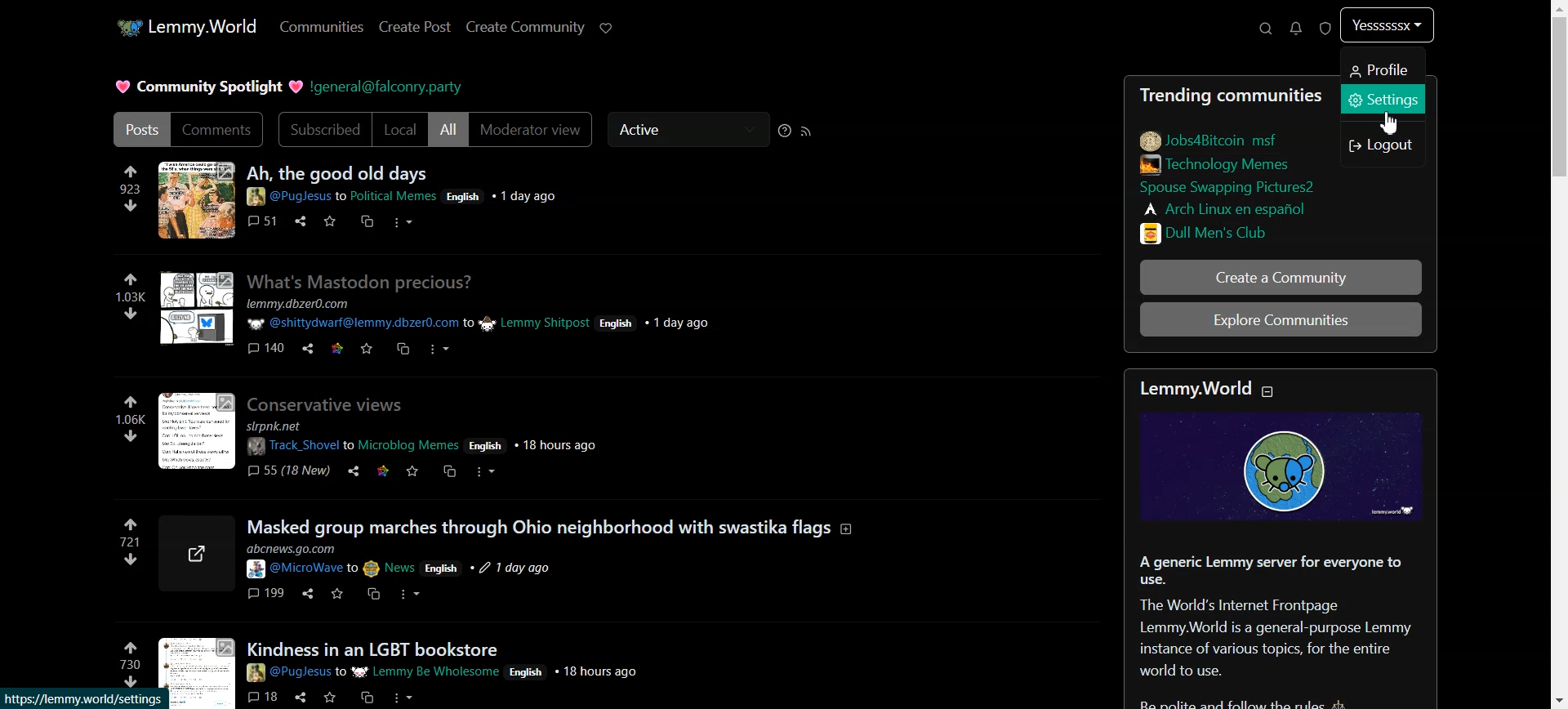 The image size is (1568, 709). Describe the element at coordinates (194, 673) in the screenshot. I see `image` at that location.